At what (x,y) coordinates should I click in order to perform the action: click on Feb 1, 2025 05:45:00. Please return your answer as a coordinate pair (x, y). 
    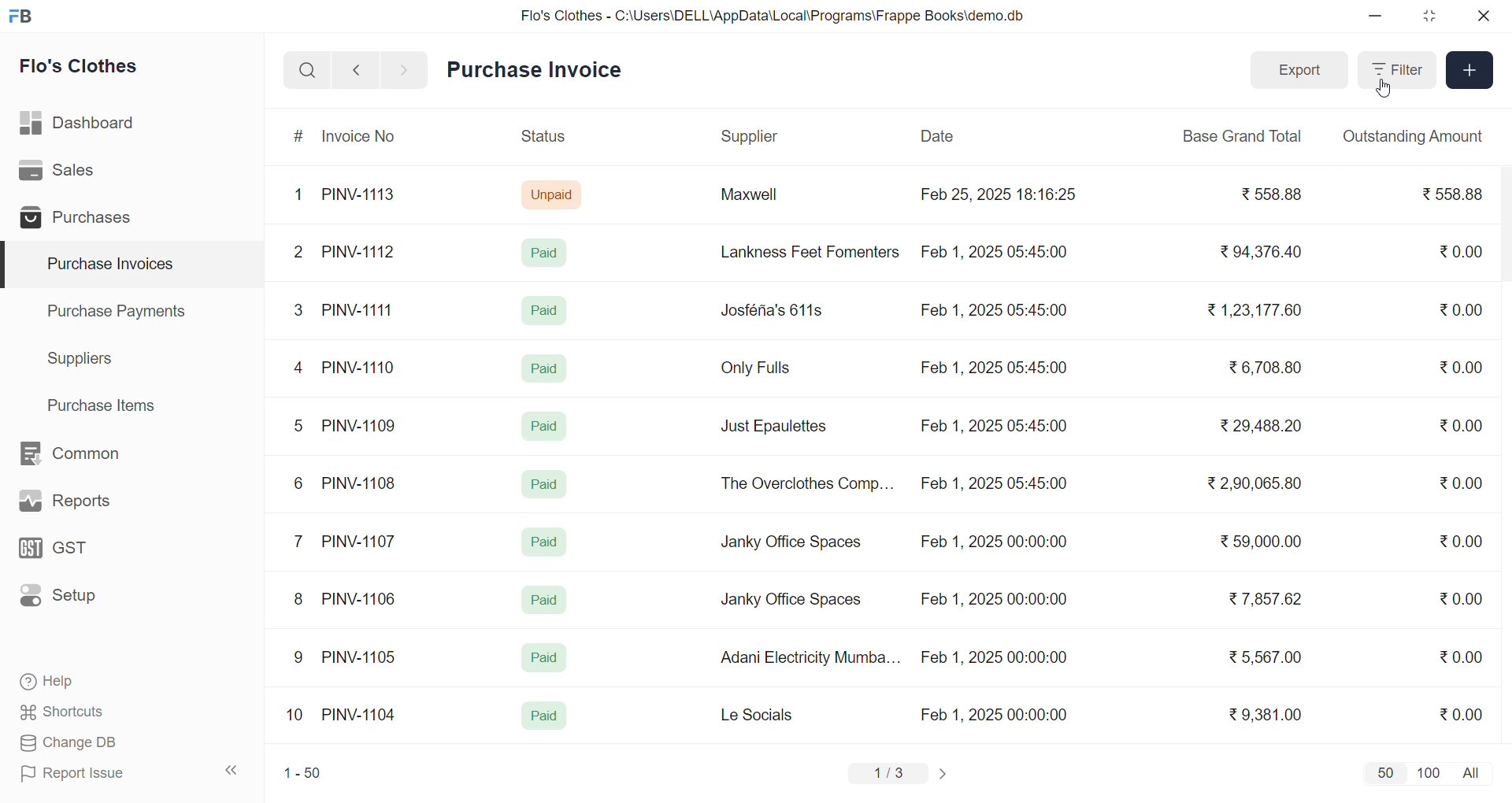
    Looking at the image, I should click on (996, 368).